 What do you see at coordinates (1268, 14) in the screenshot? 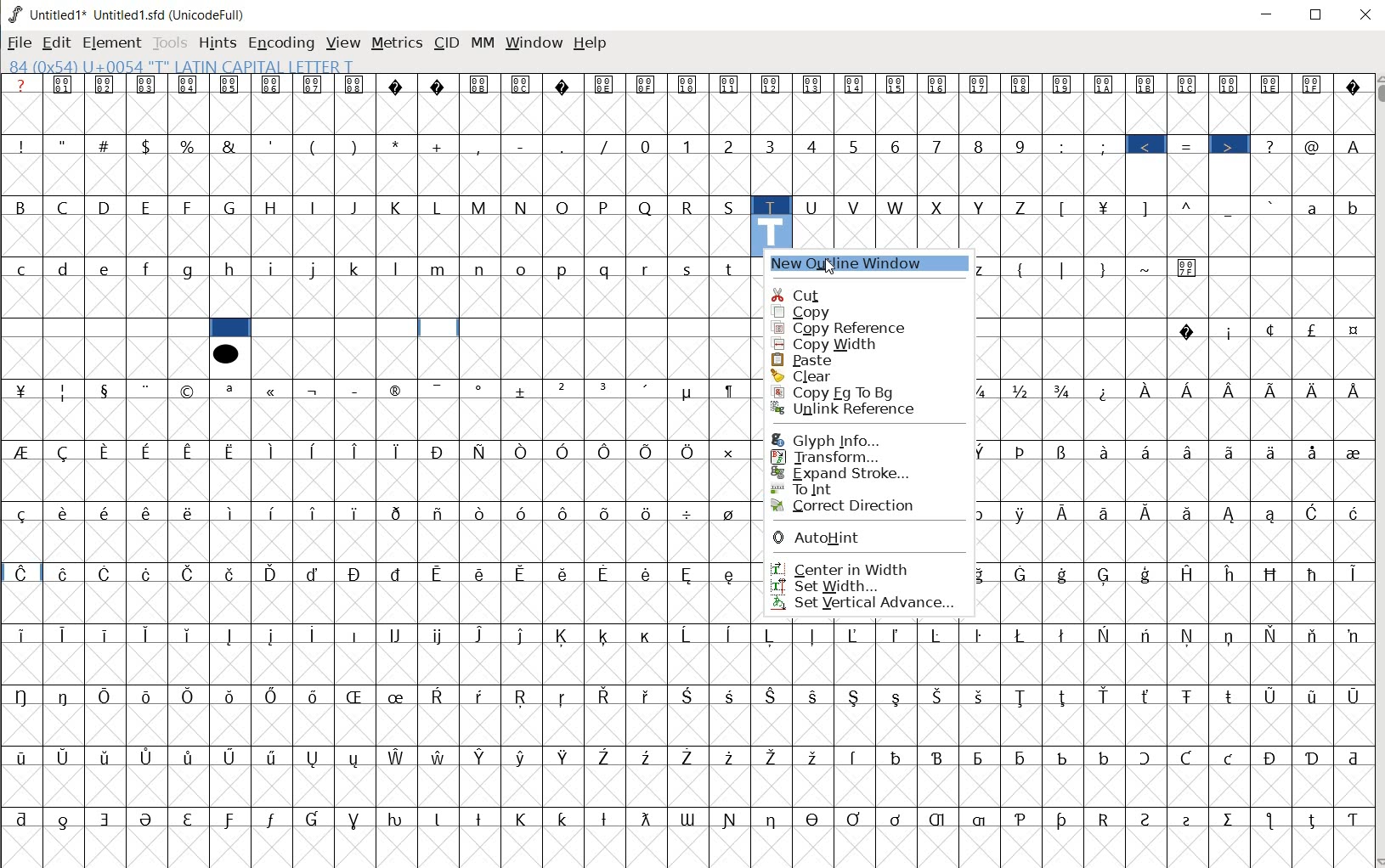
I see `minimize` at bounding box center [1268, 14].